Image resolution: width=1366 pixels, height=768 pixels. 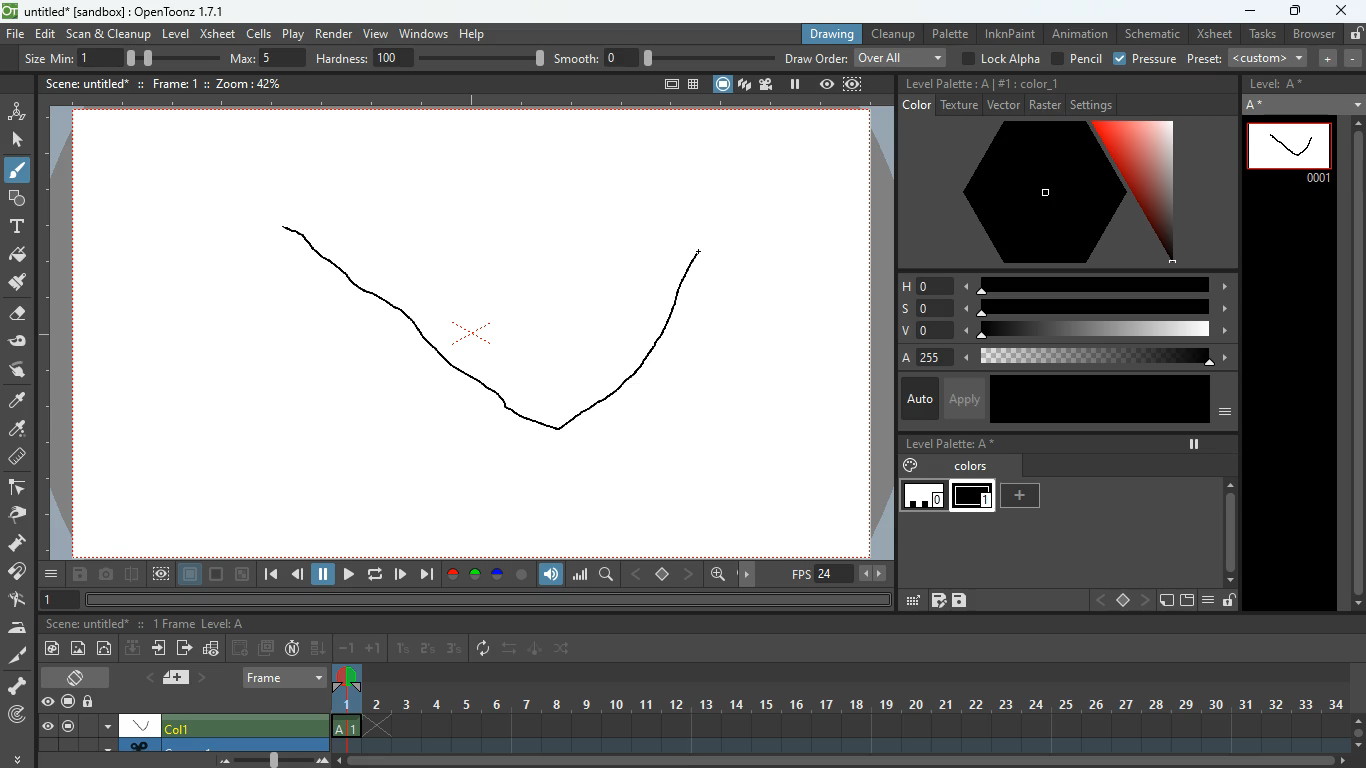 What do you see at coordinates (1261, 35) in the screenshot?
I see `tasks` at bounding box center [1261, 35].